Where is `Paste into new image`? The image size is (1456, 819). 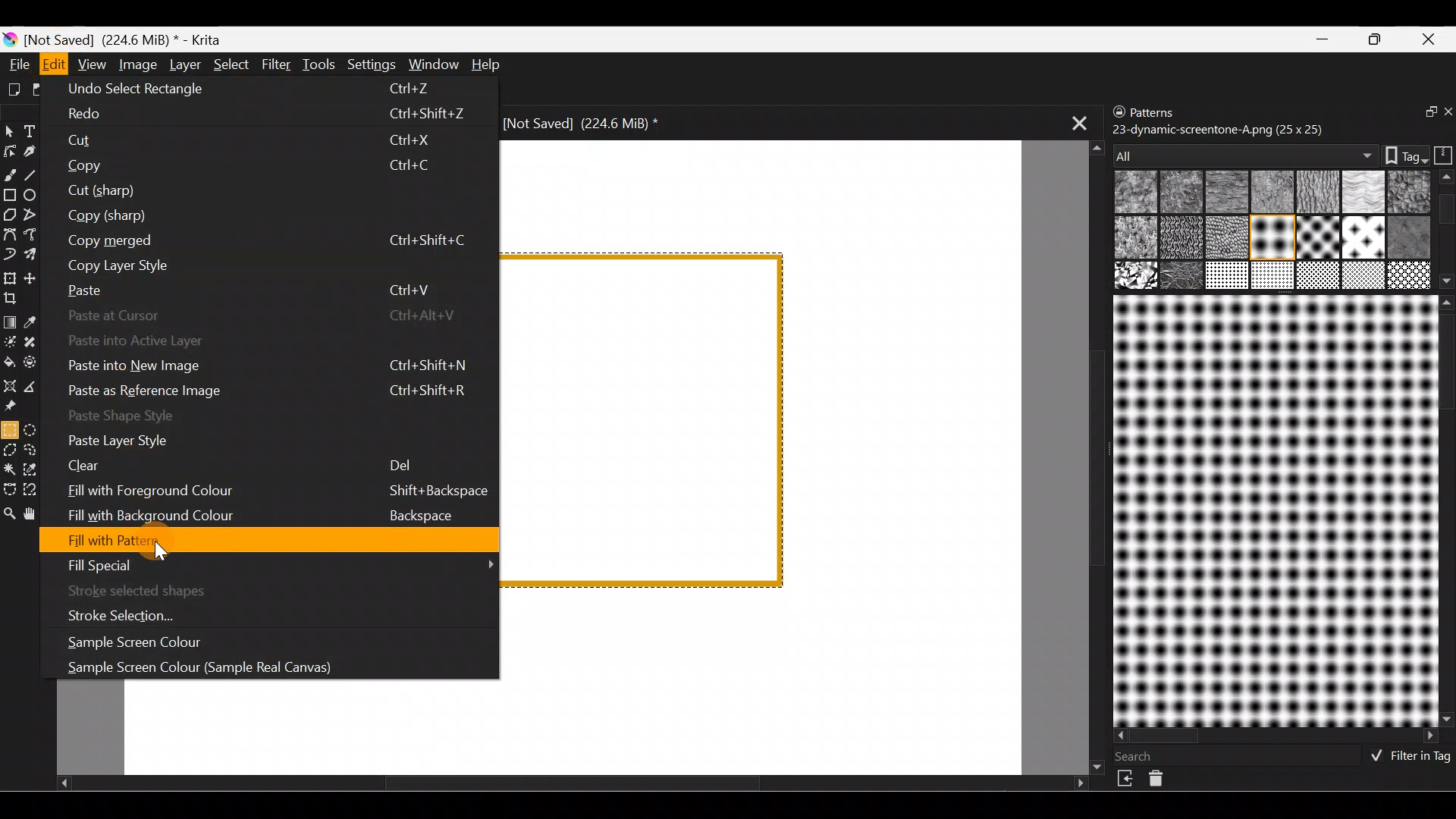
Paste into new image is located at coordinates (269, 362).